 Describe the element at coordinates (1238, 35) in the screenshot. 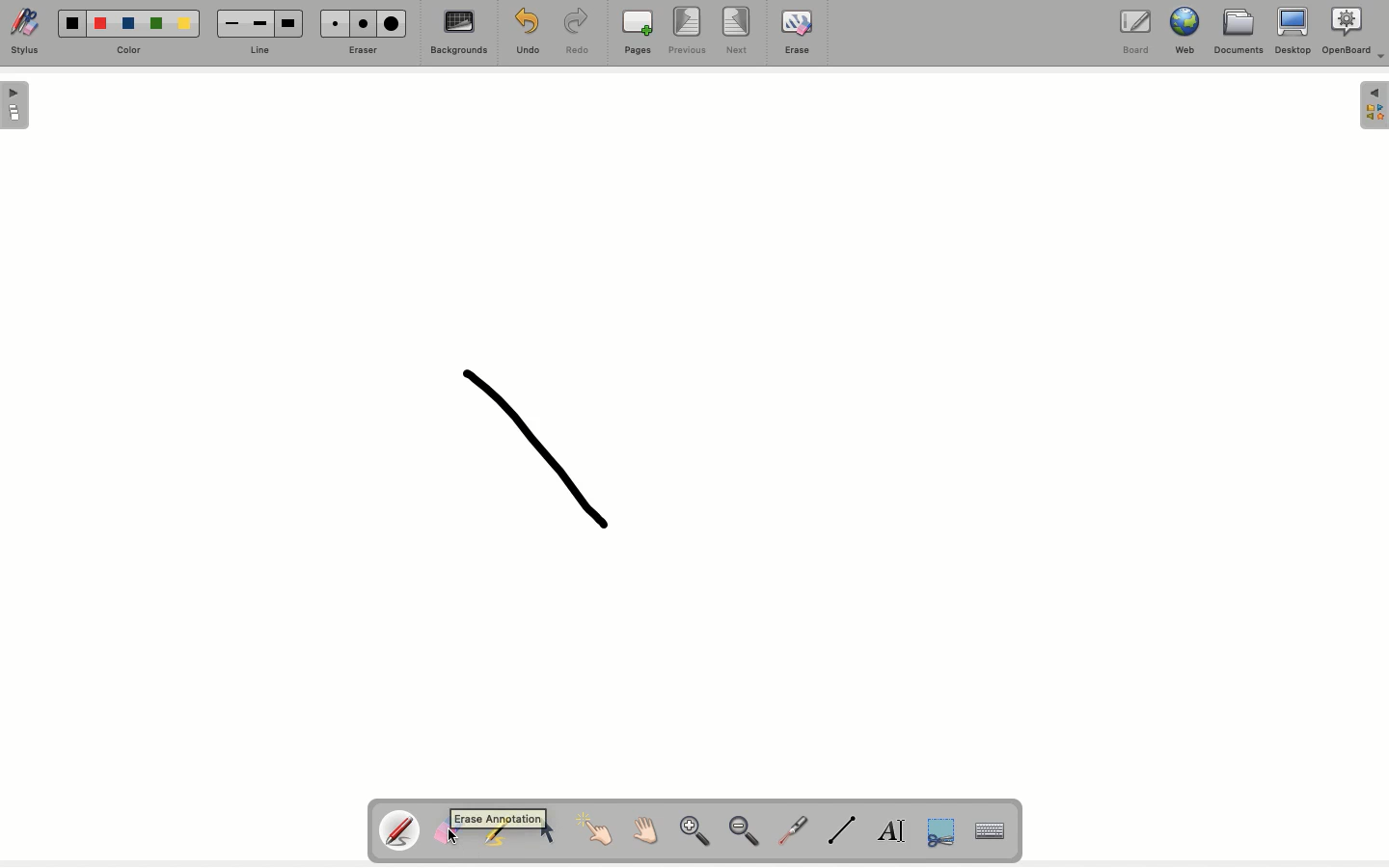

I see `Documents` at that location.